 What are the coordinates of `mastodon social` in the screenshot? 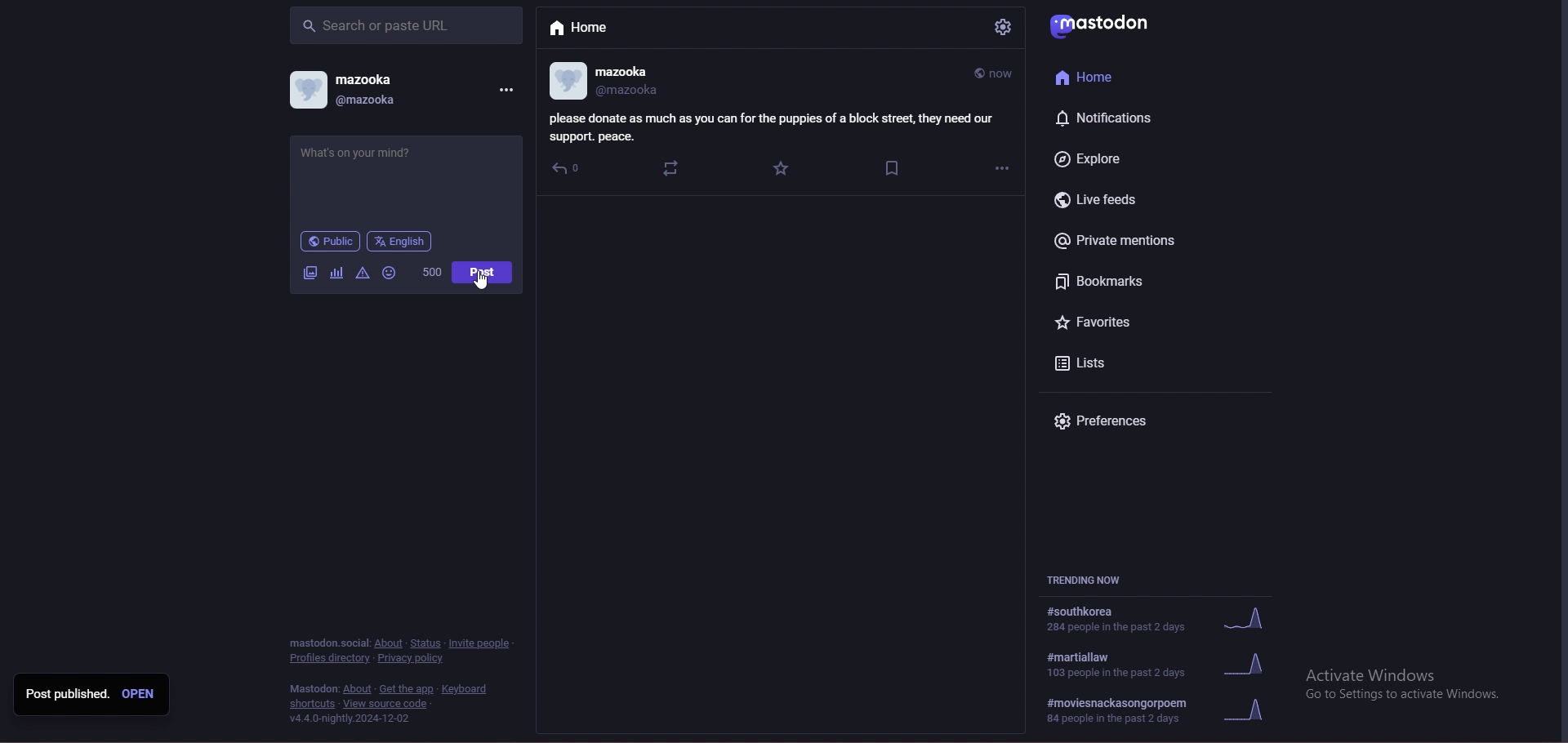 It's located at (327, 643).